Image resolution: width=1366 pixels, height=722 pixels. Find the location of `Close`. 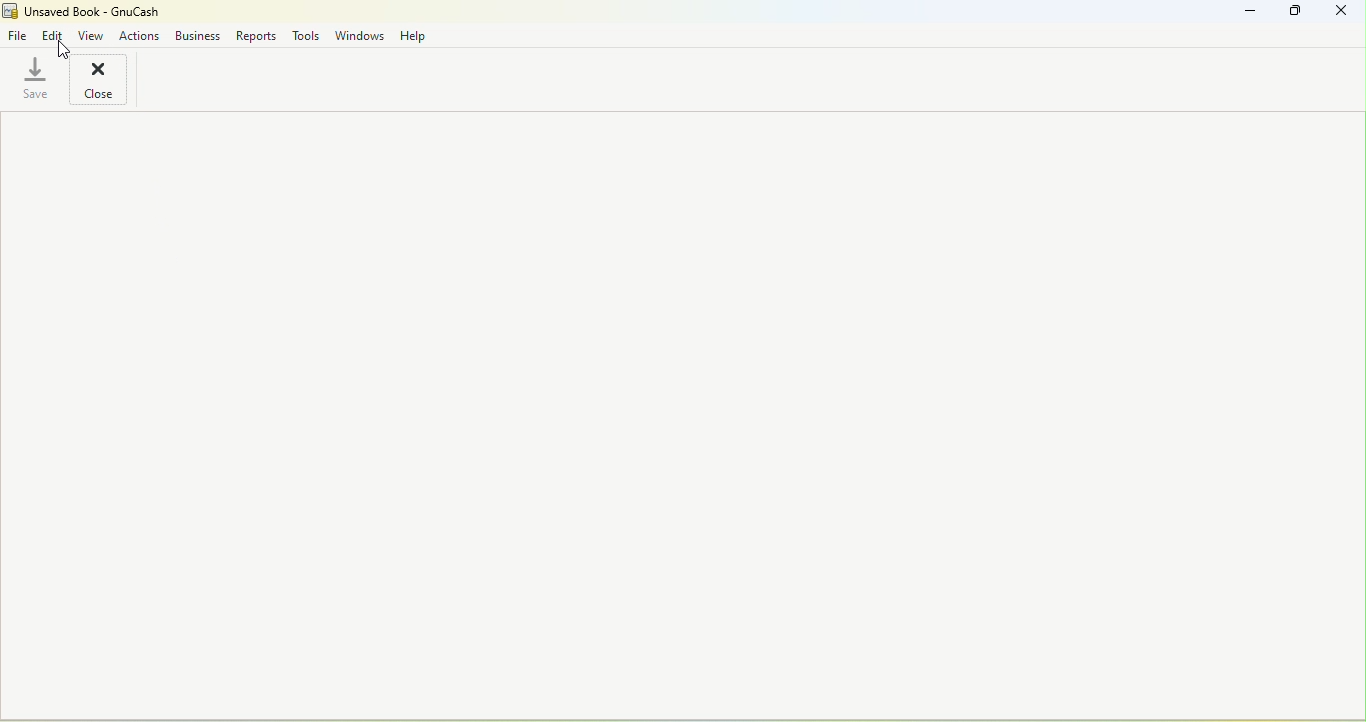

Close is located at coordinates (99, 80).